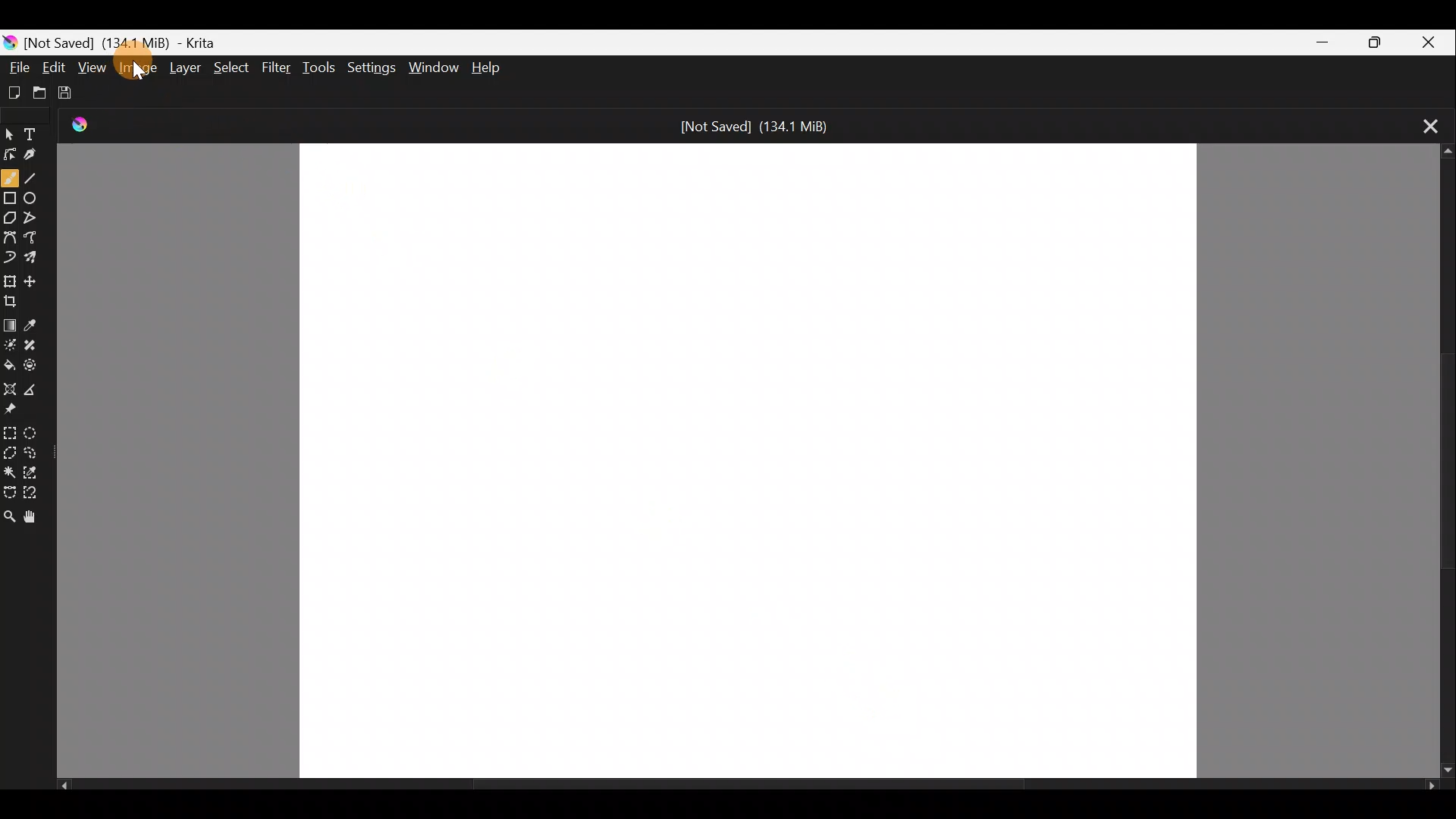 The width and height of the screenshot is (1456, 819). Describe the element at coordinates (748, 789) in the screenshot. I see `Scroll bar` at that location.